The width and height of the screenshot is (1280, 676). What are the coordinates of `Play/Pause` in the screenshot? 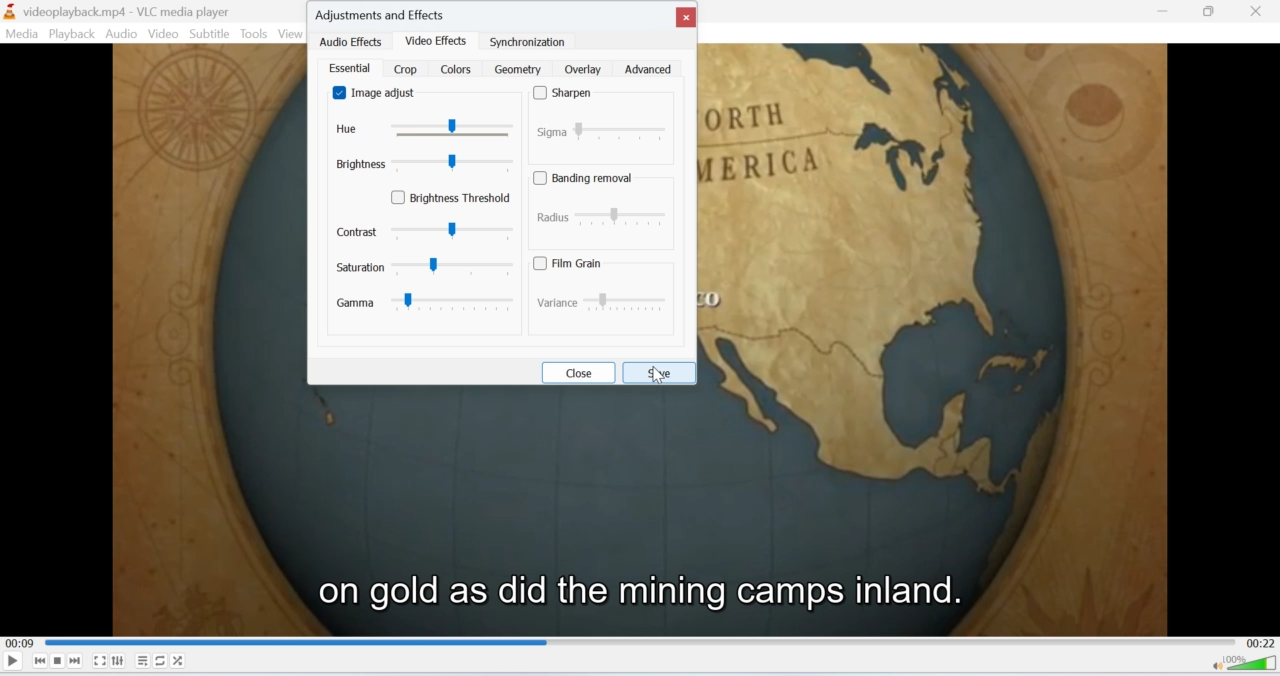 It's located at (13, 660).